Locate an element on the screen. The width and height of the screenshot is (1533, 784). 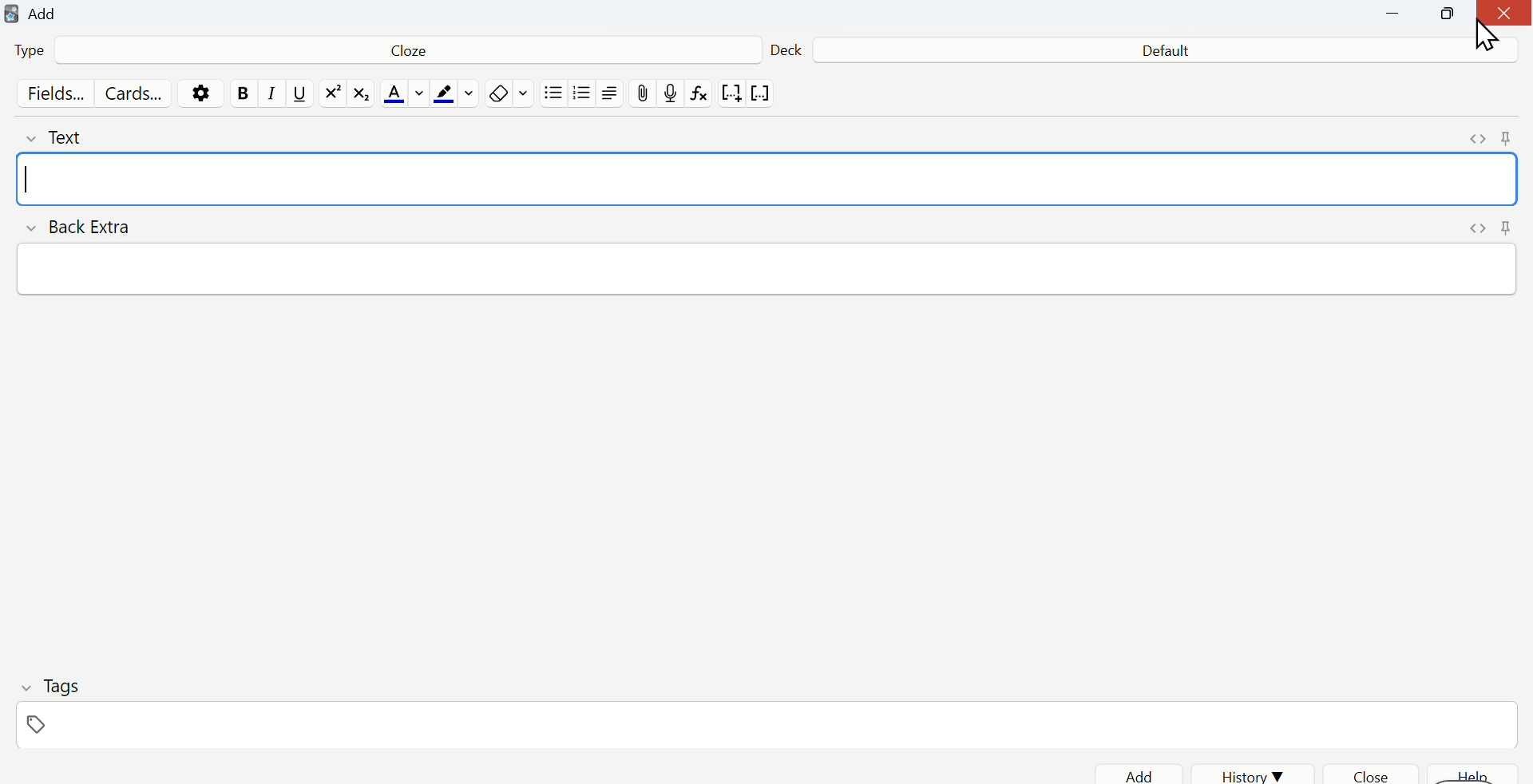
Tags is located at coordinates (52, 686).